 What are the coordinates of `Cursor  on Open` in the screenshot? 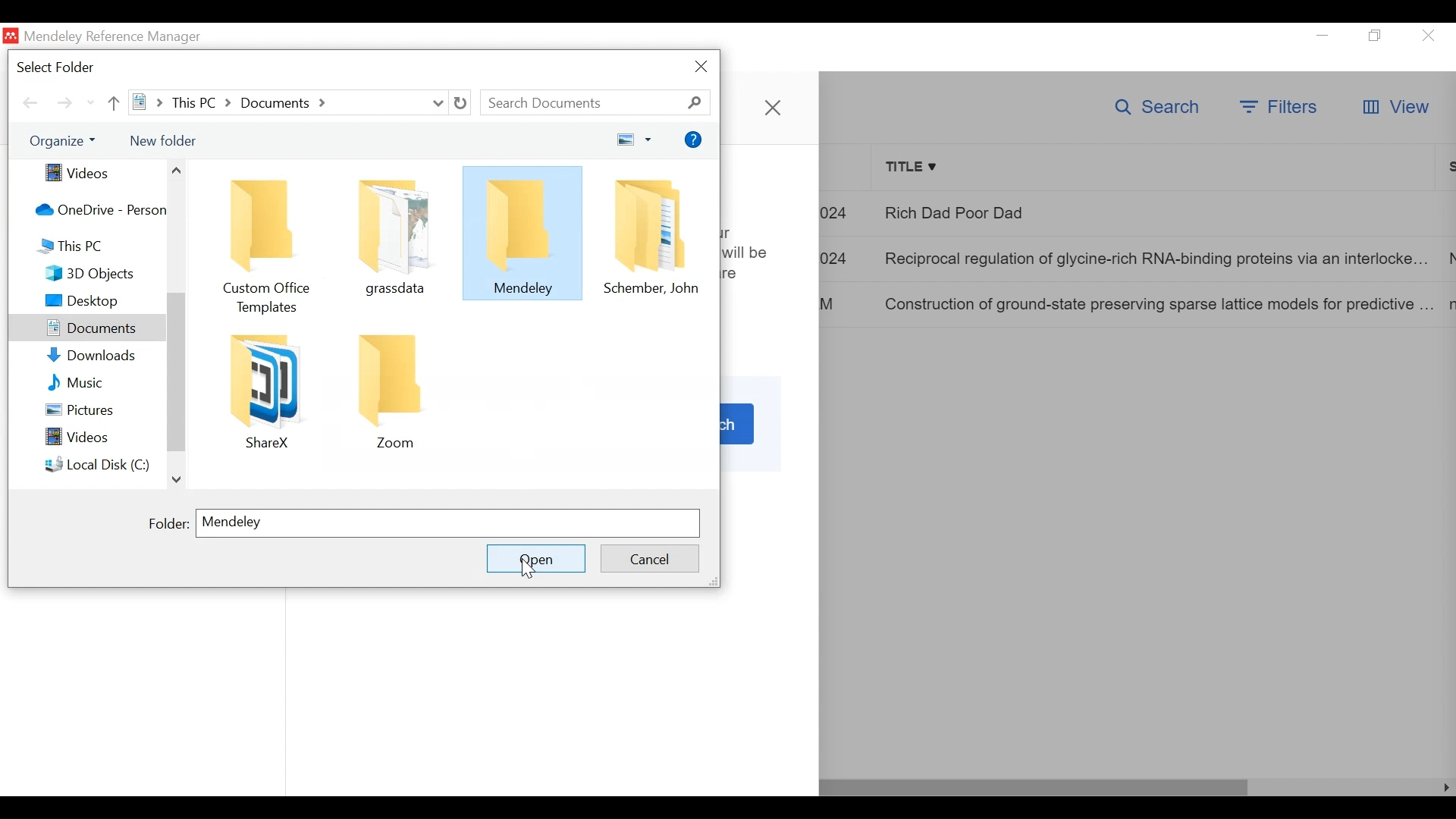 It's located at (529, 570).